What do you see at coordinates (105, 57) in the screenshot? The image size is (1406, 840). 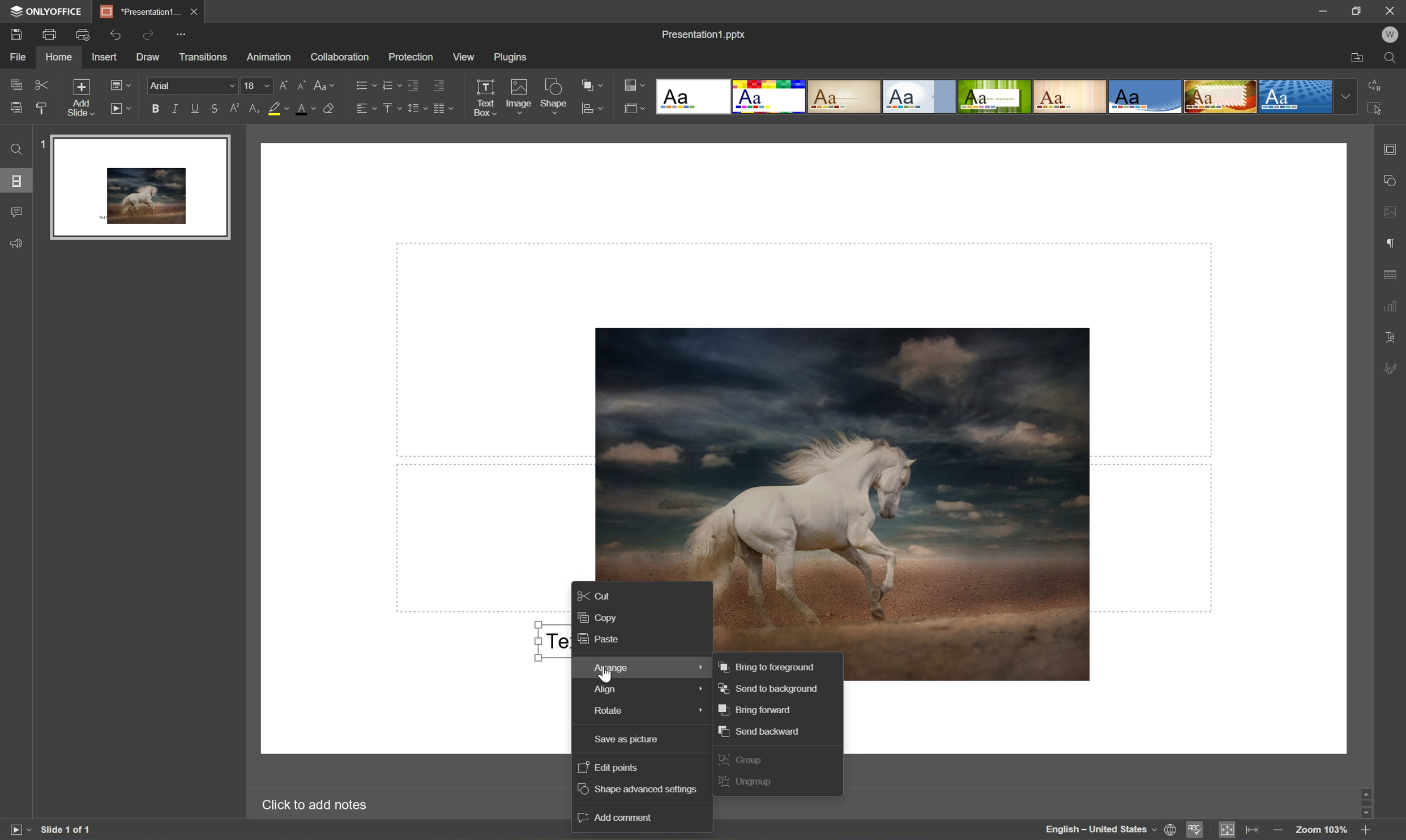 I see `Insert` at bounding box center [105, 57].